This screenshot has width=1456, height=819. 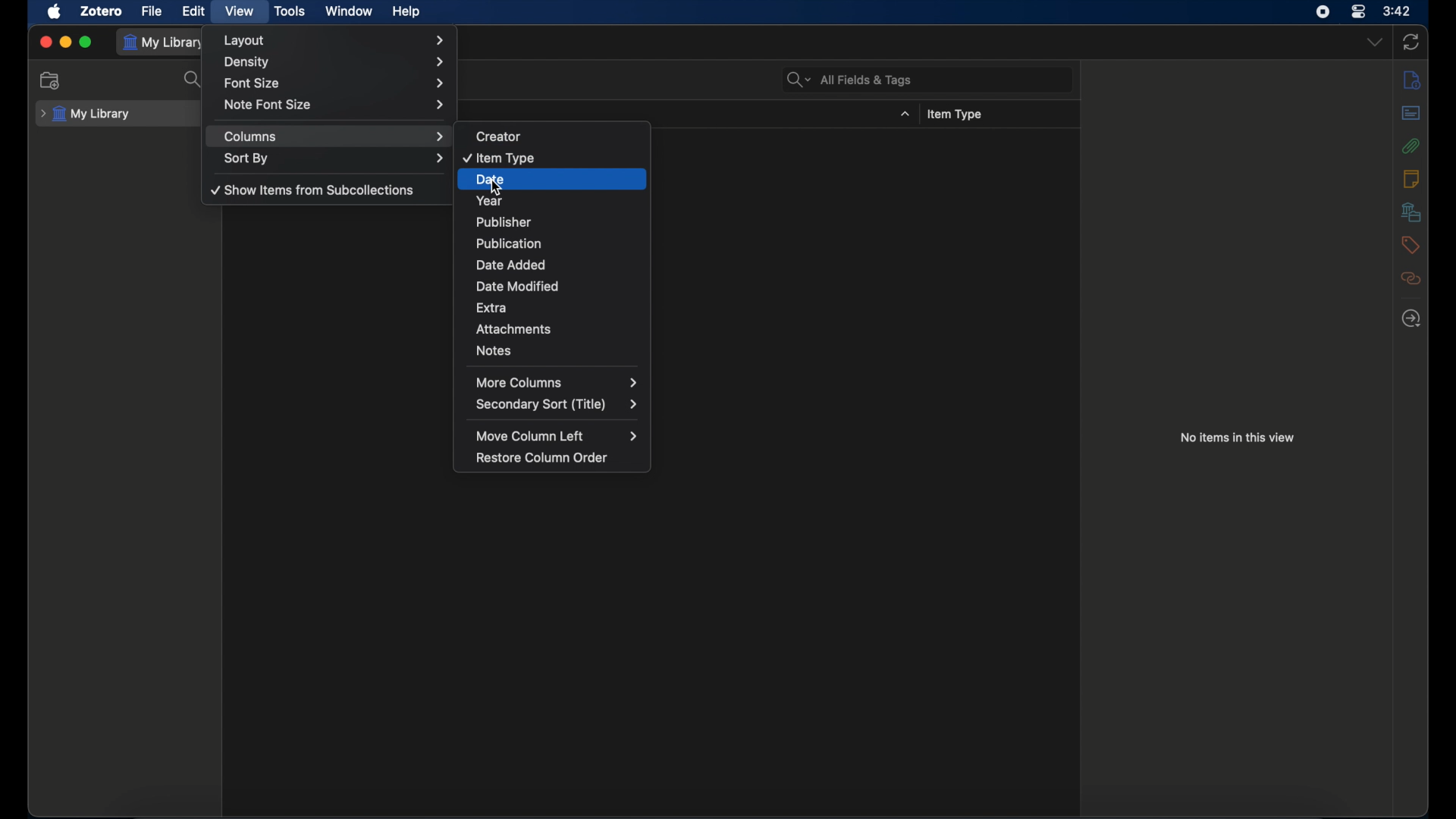 I want to click on no items in this view, so click(x=1238, y=438).